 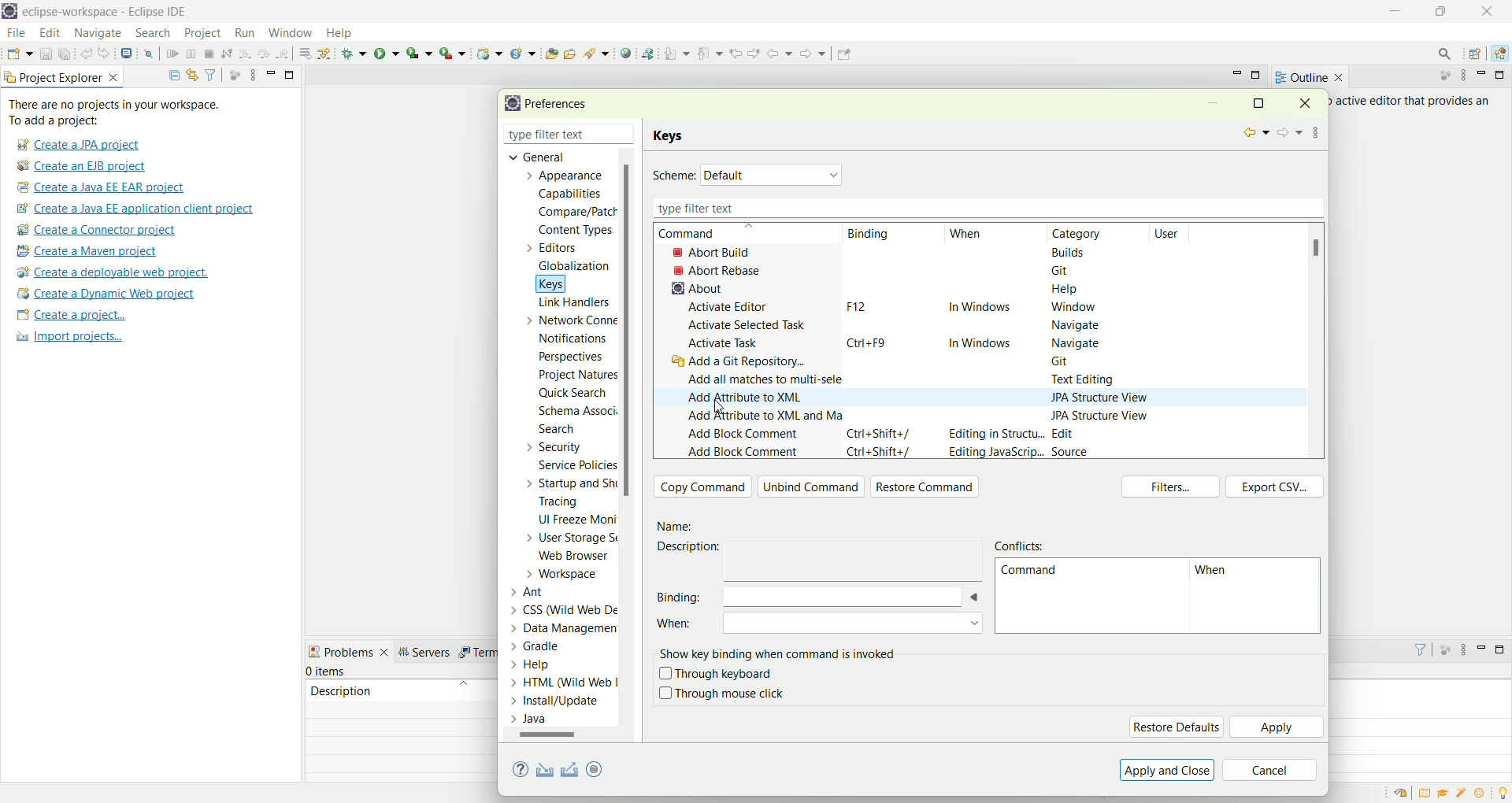 I want to click on next edit location, so click(x=756, y=52).